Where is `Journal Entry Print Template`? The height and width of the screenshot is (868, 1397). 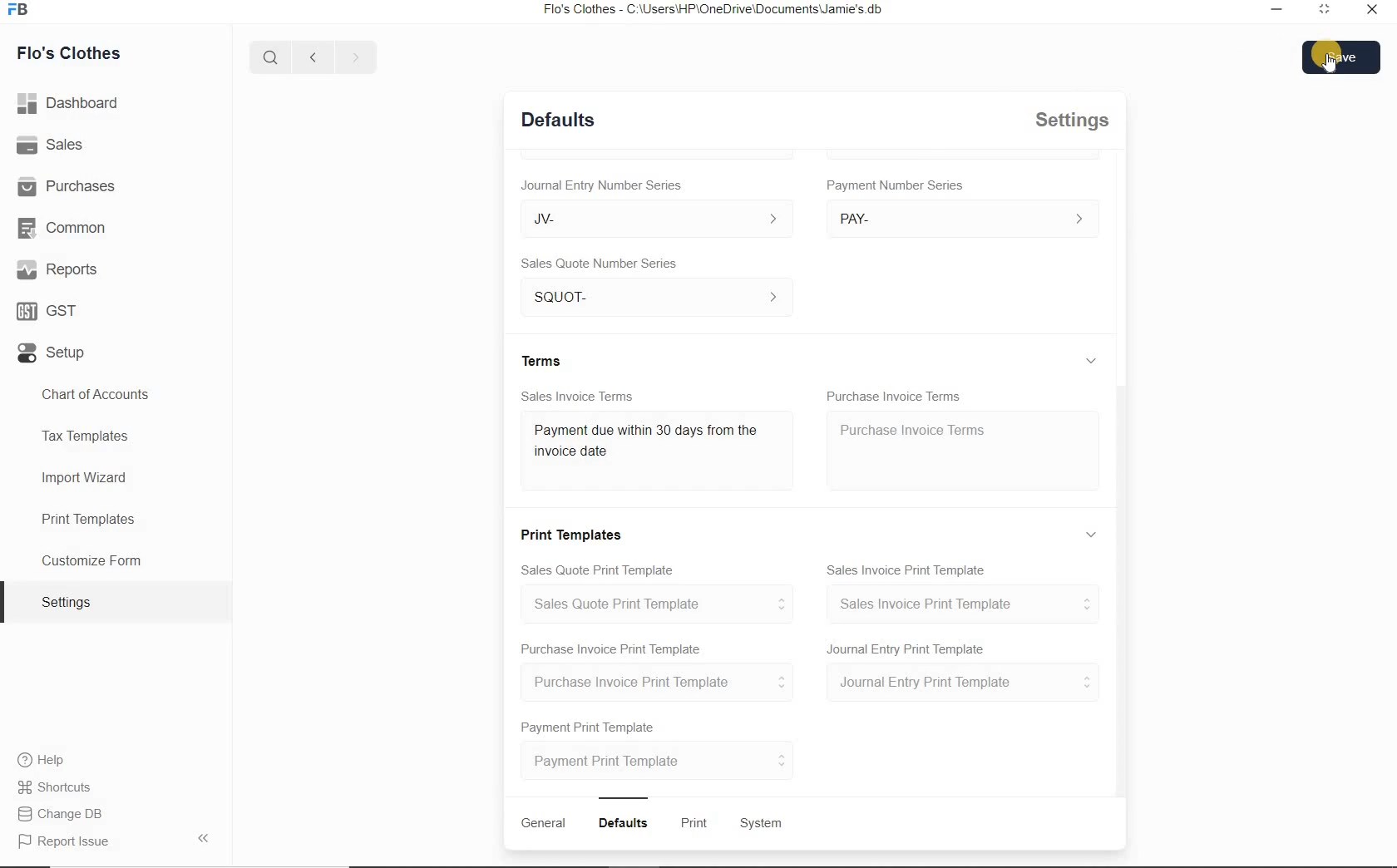
Journal Entry Print Template is located at coordinates (905, 648).